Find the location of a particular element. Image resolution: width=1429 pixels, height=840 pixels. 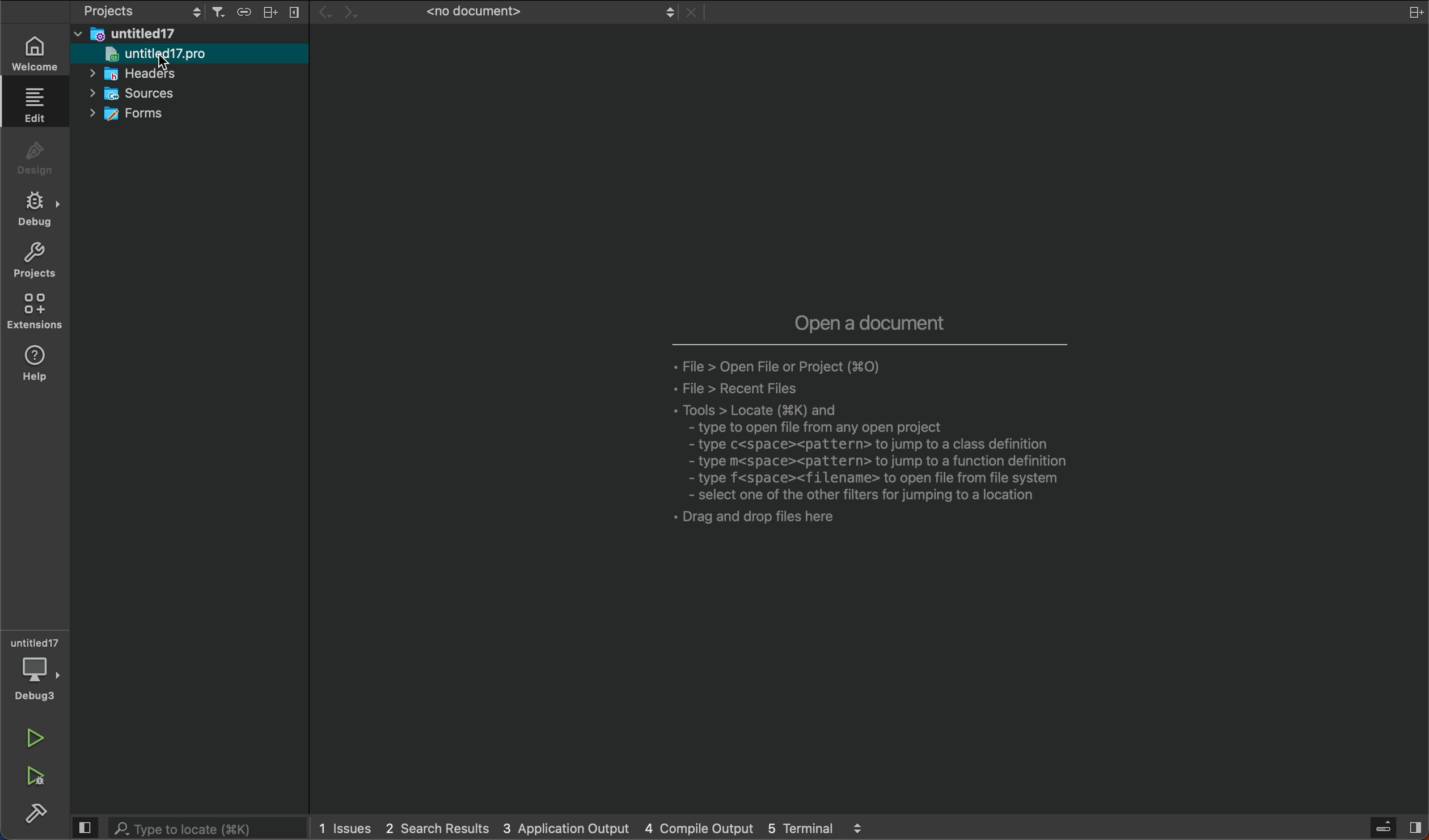

search is located at coordinates (188, 829).